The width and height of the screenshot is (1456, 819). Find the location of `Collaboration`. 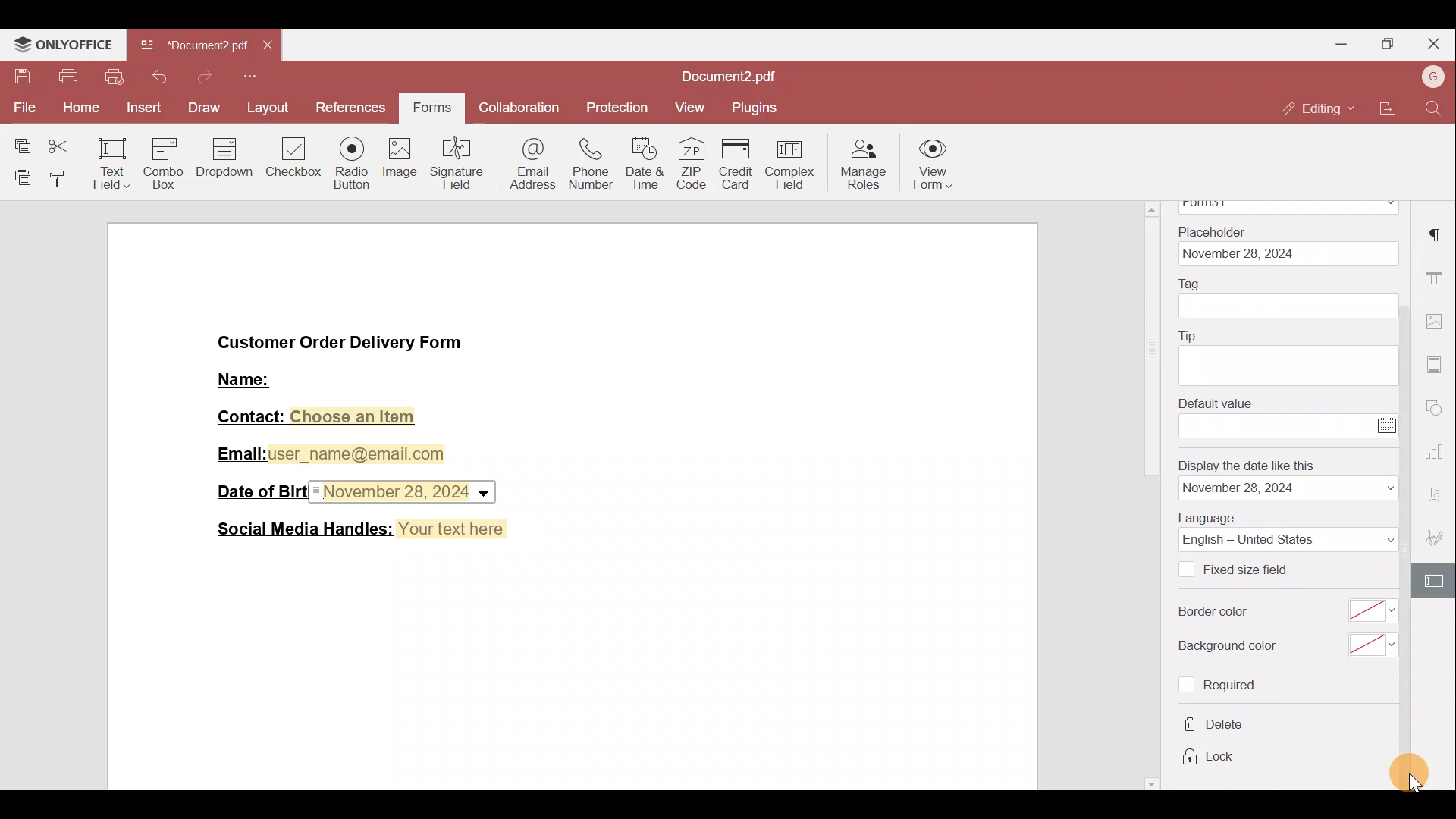

Collaboration is located at coordinates (516, 109).